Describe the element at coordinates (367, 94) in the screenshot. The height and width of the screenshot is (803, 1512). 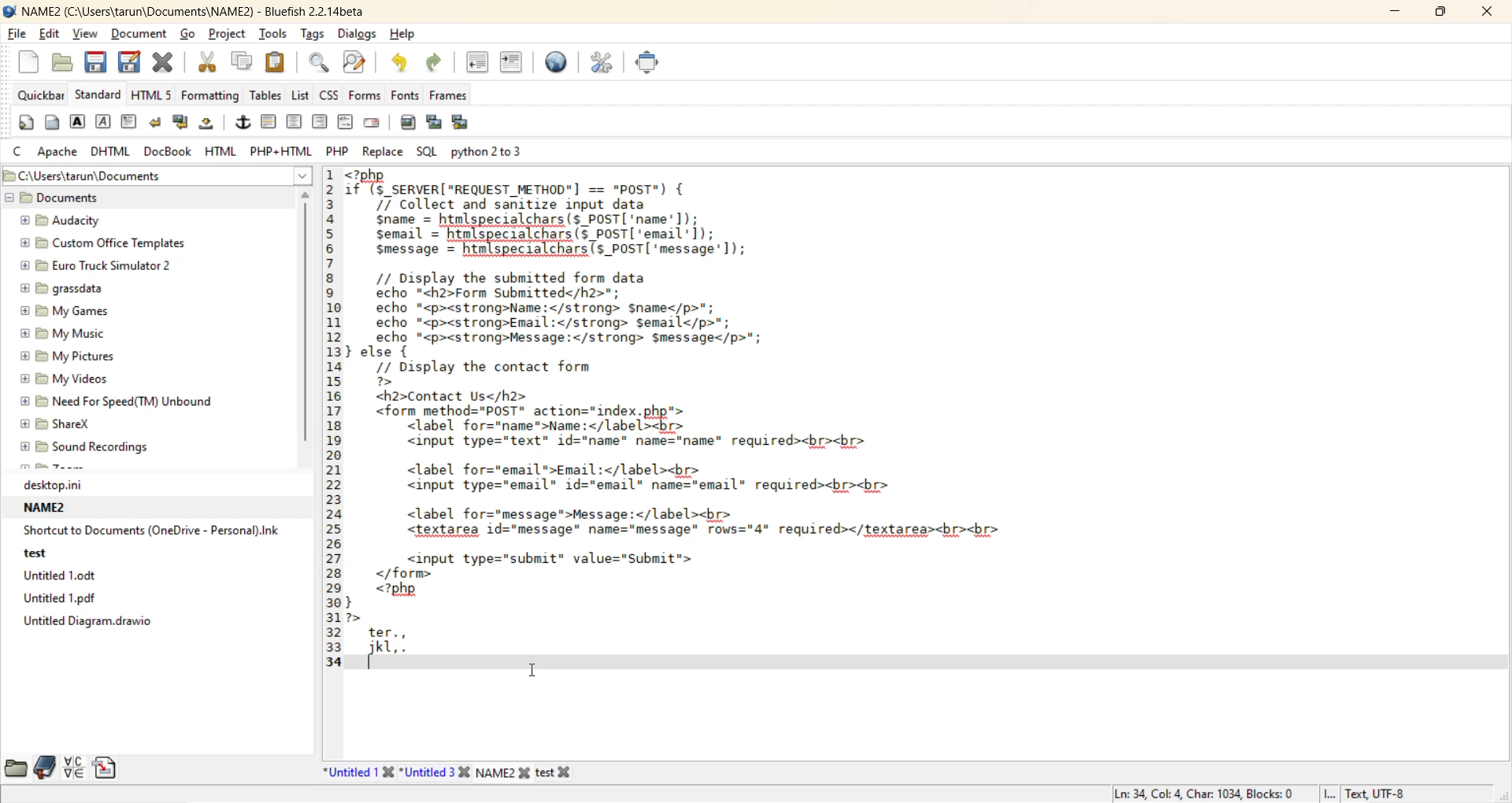
I see `forms` at that location.